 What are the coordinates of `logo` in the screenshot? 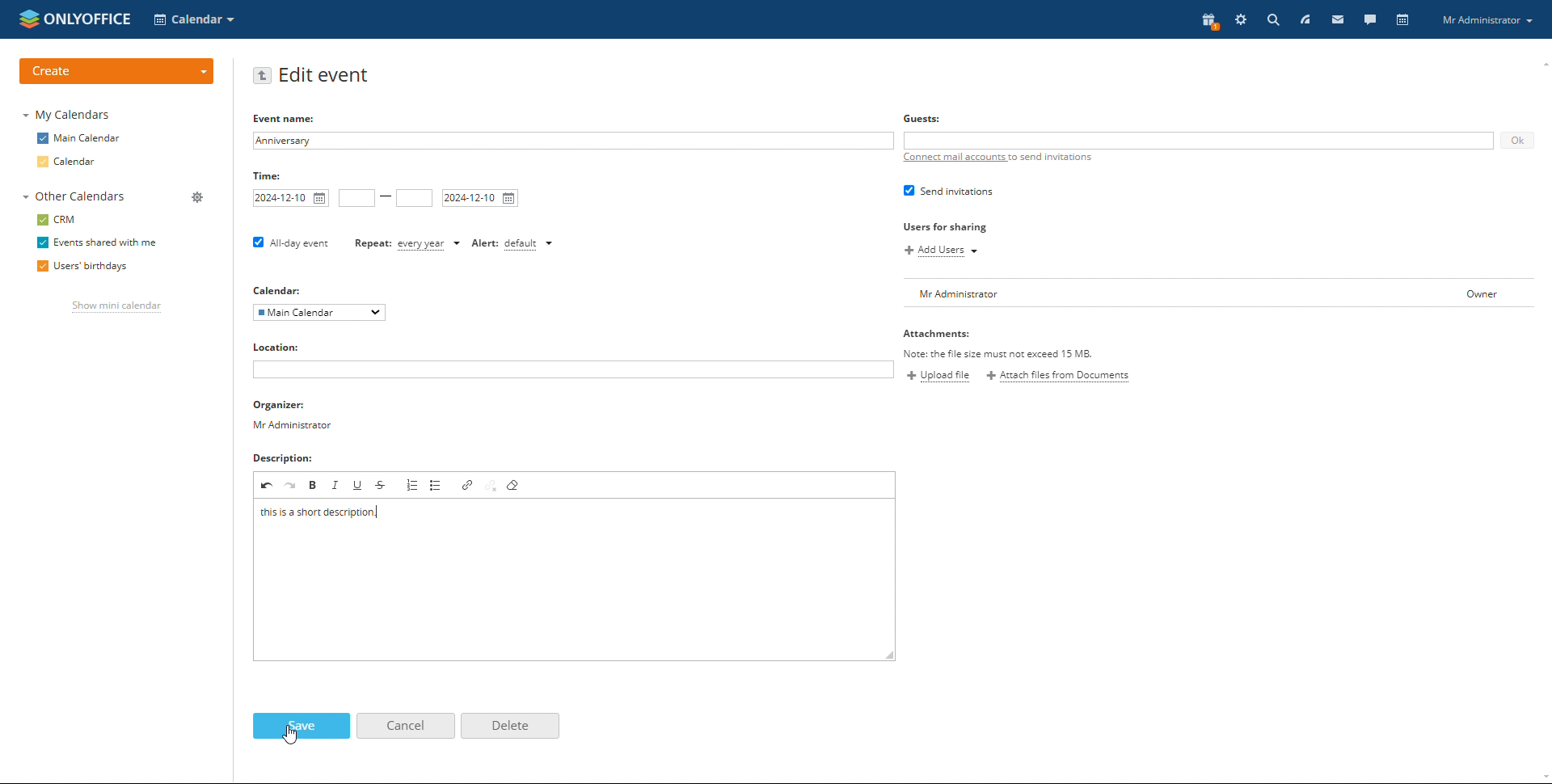 It's located at (75, 18).